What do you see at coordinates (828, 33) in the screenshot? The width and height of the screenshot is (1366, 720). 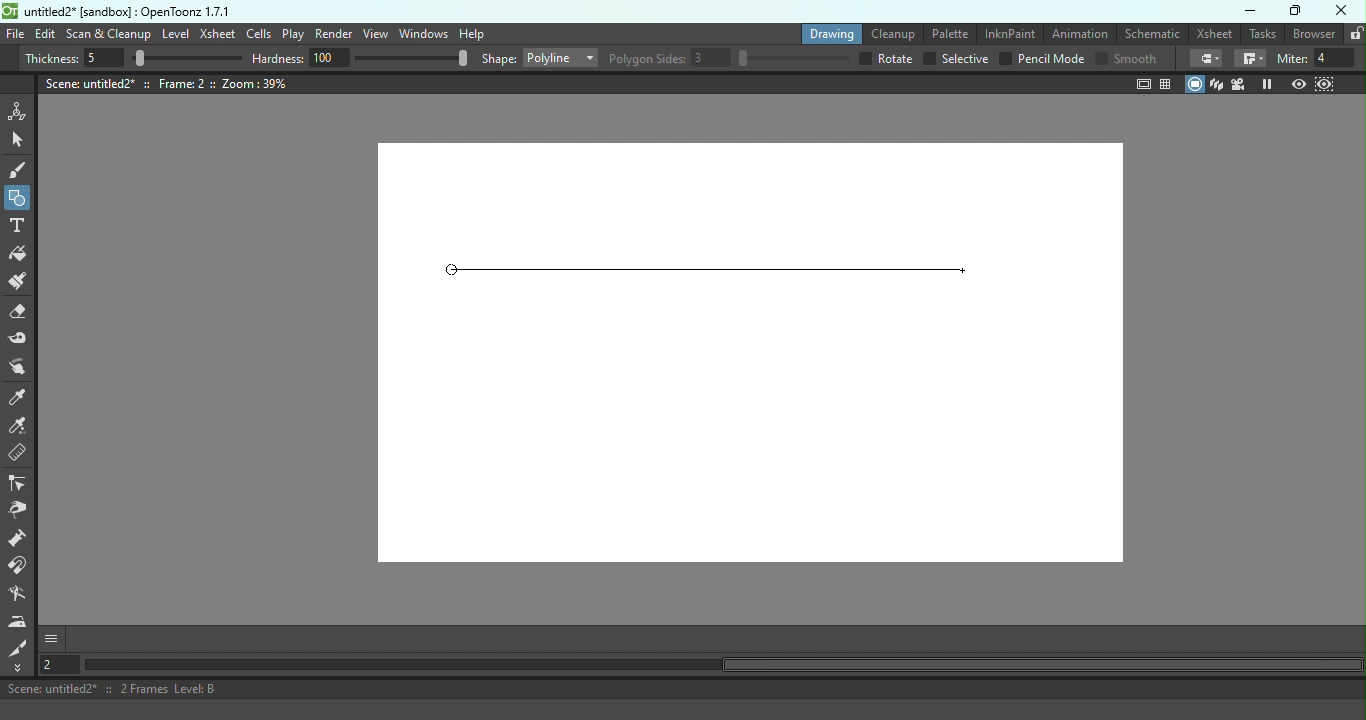 I see `Drawing` at bounding box center [828, 33].